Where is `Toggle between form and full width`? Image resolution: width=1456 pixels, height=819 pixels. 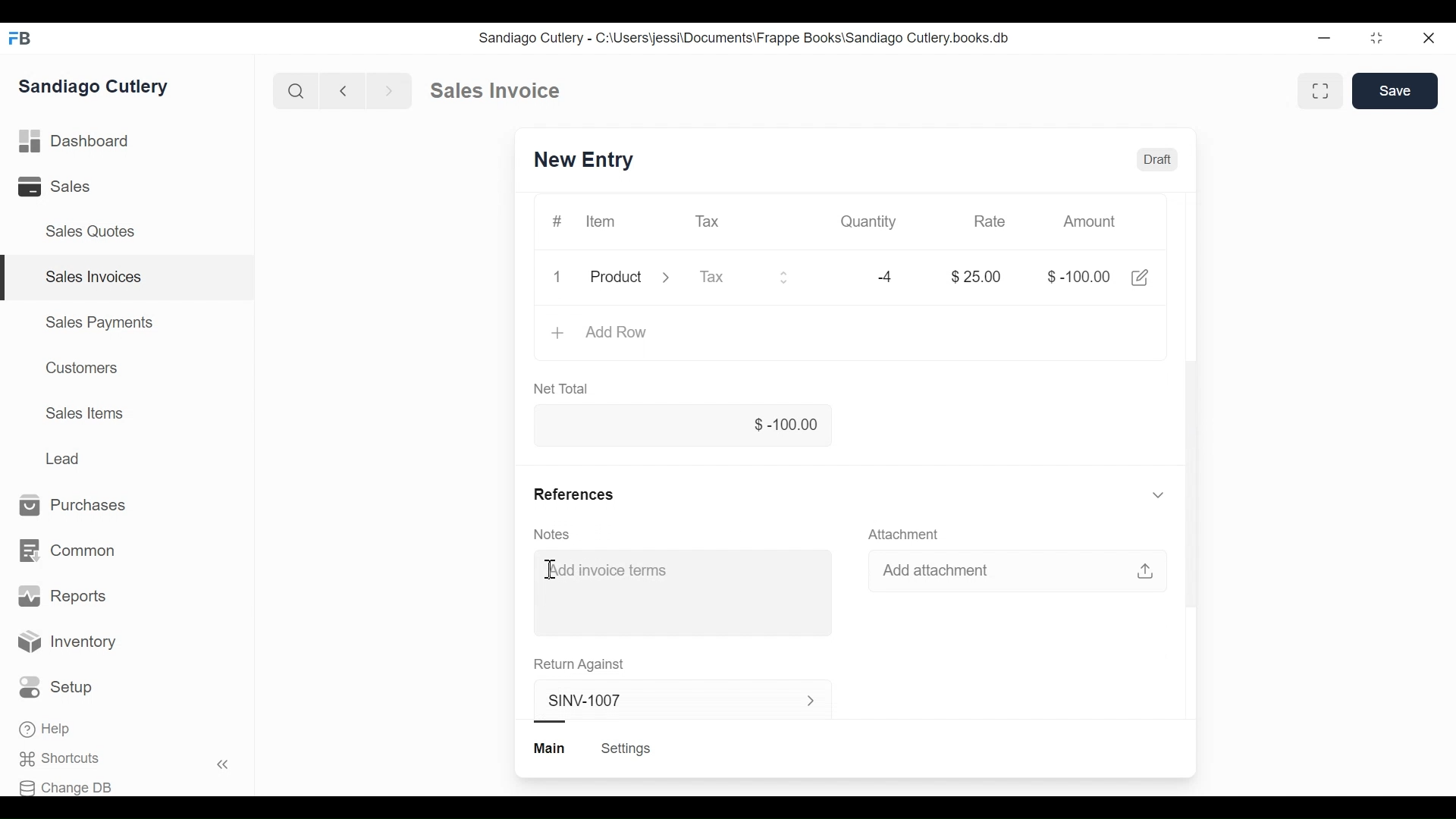
Toggle between form and full width is located at coordinates (1377, 39).